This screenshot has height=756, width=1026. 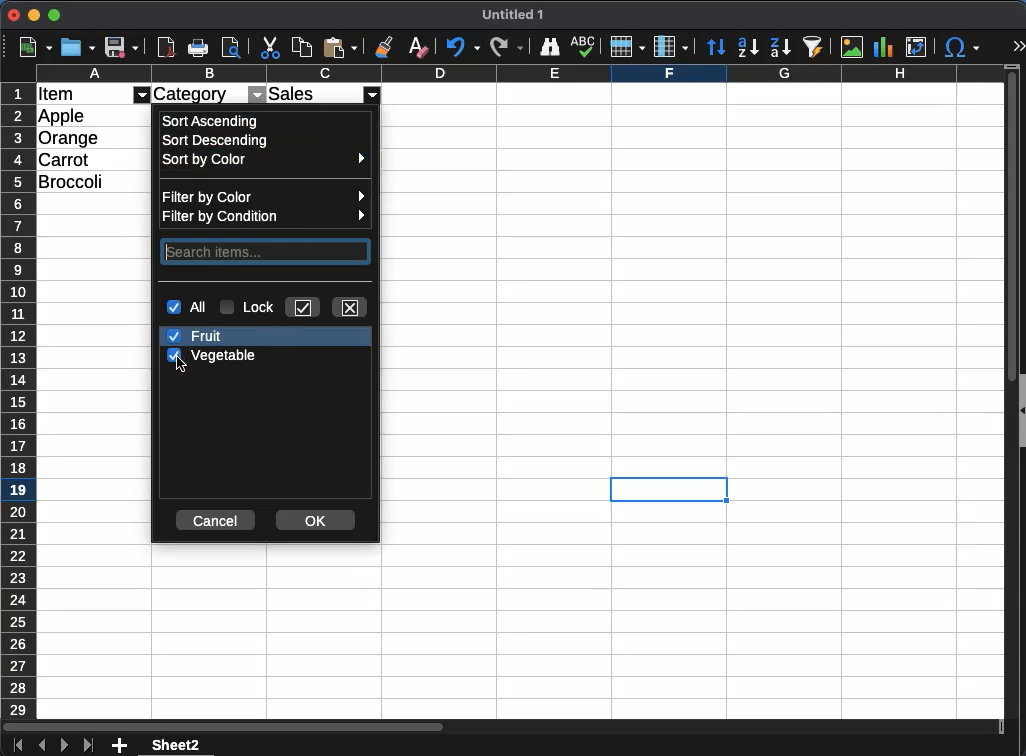 What do you see at coordinates (13, 15) in the screenshot?
I see `close` at bounding box center [13, 15].